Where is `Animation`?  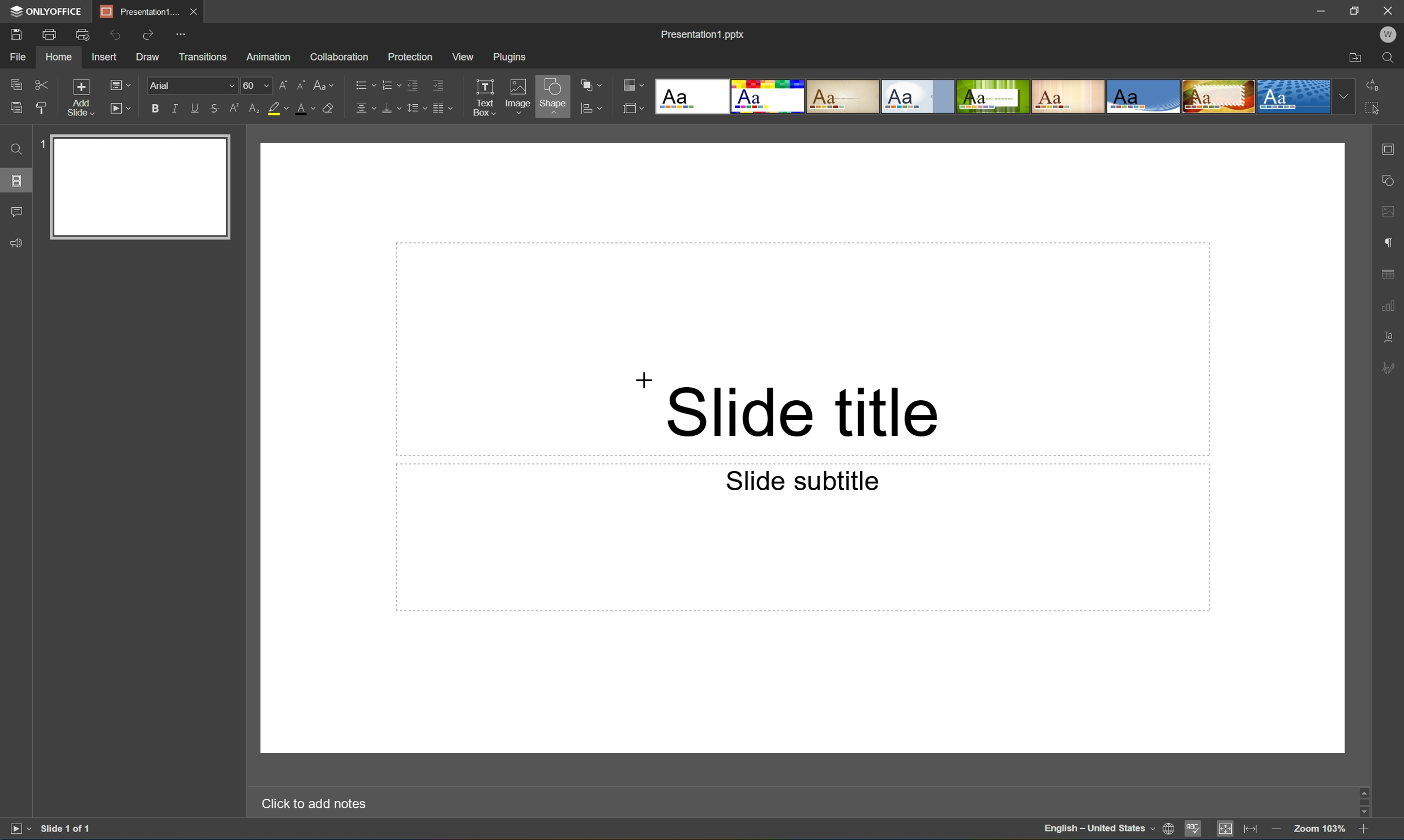 Animation is located at coordinates (271, 58).